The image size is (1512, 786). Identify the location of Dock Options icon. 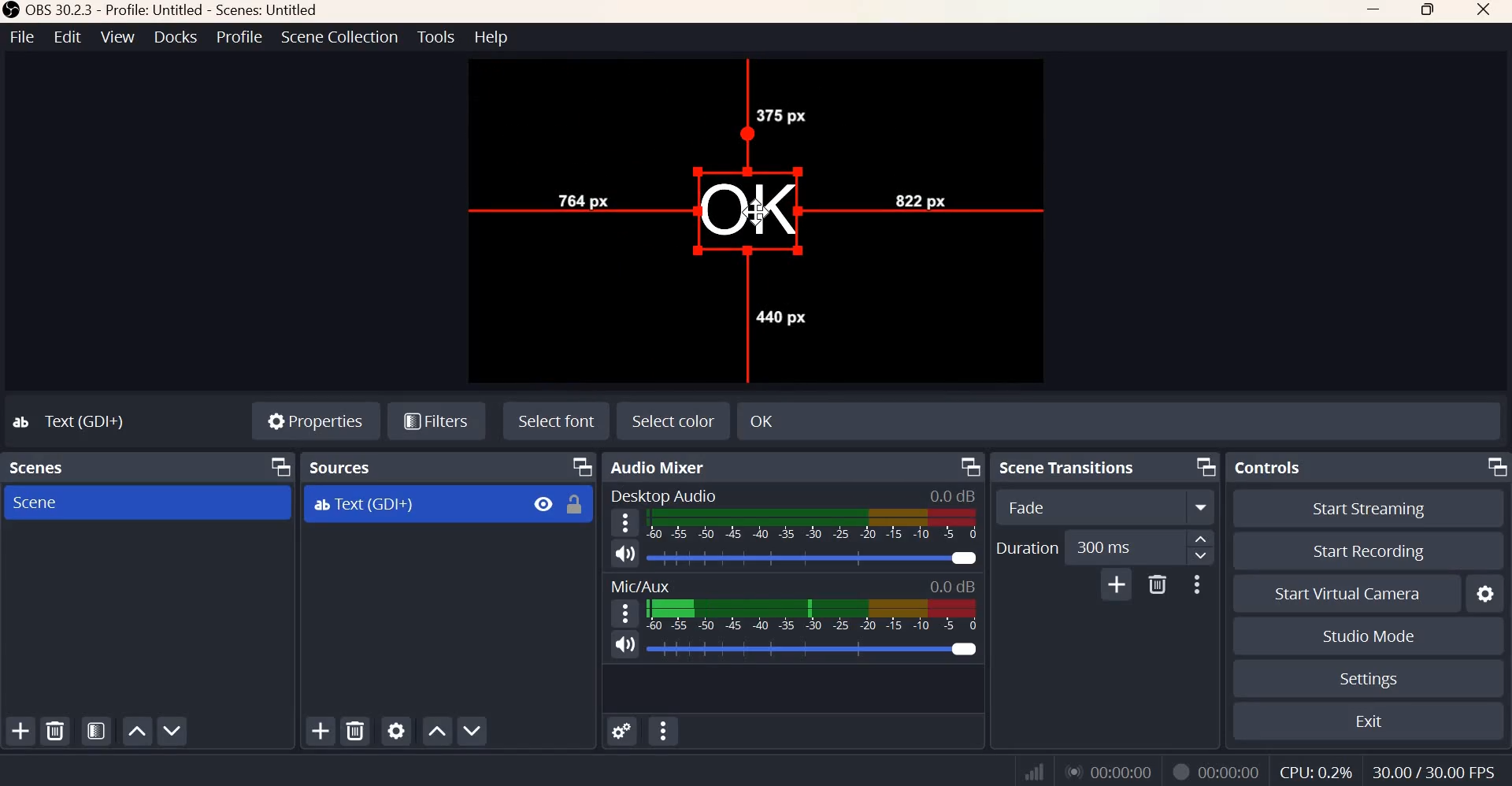
(583, 467).